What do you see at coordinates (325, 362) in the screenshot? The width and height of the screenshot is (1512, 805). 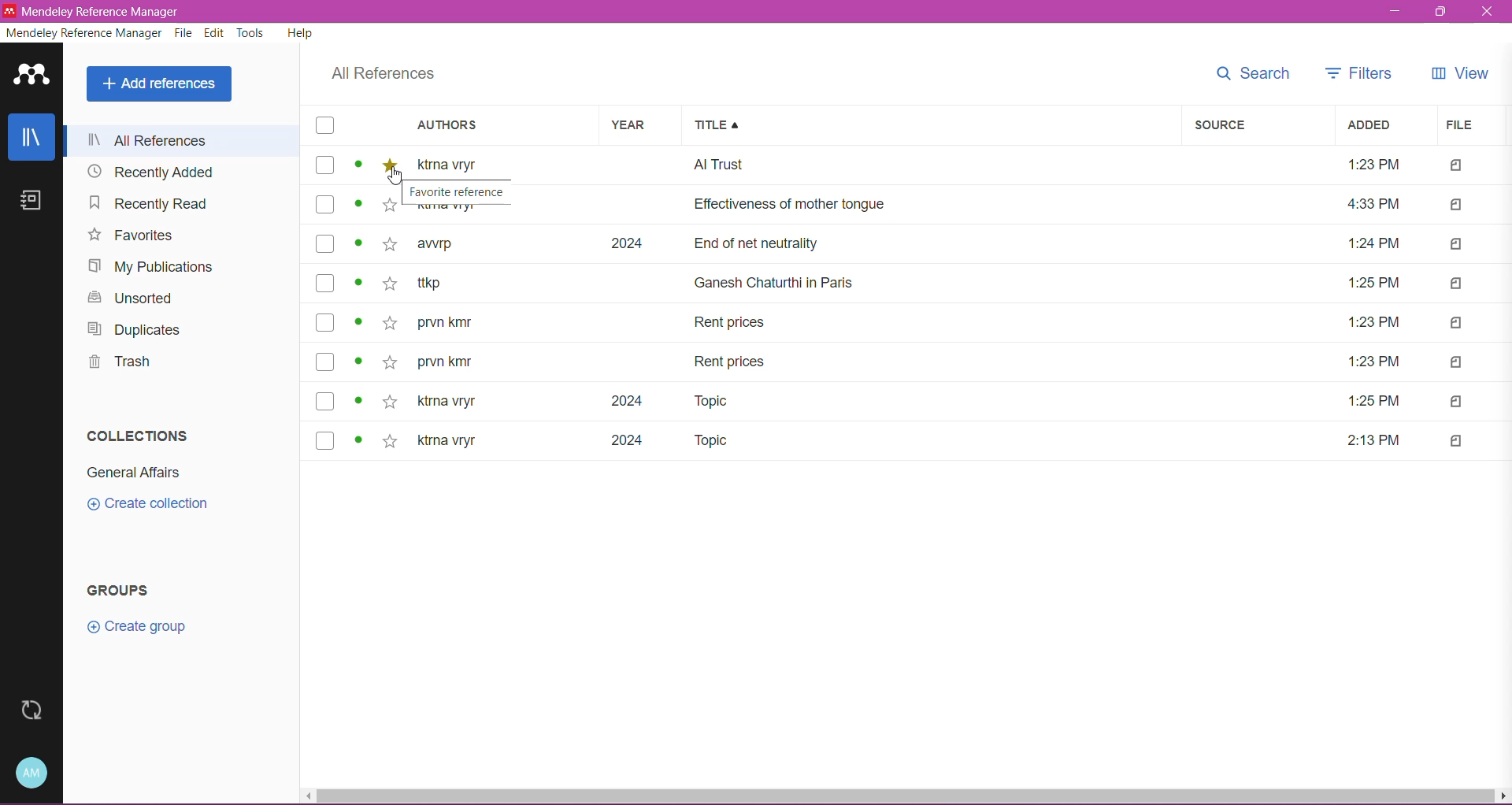 I see `Click to select` at bounding box center [325, 362].